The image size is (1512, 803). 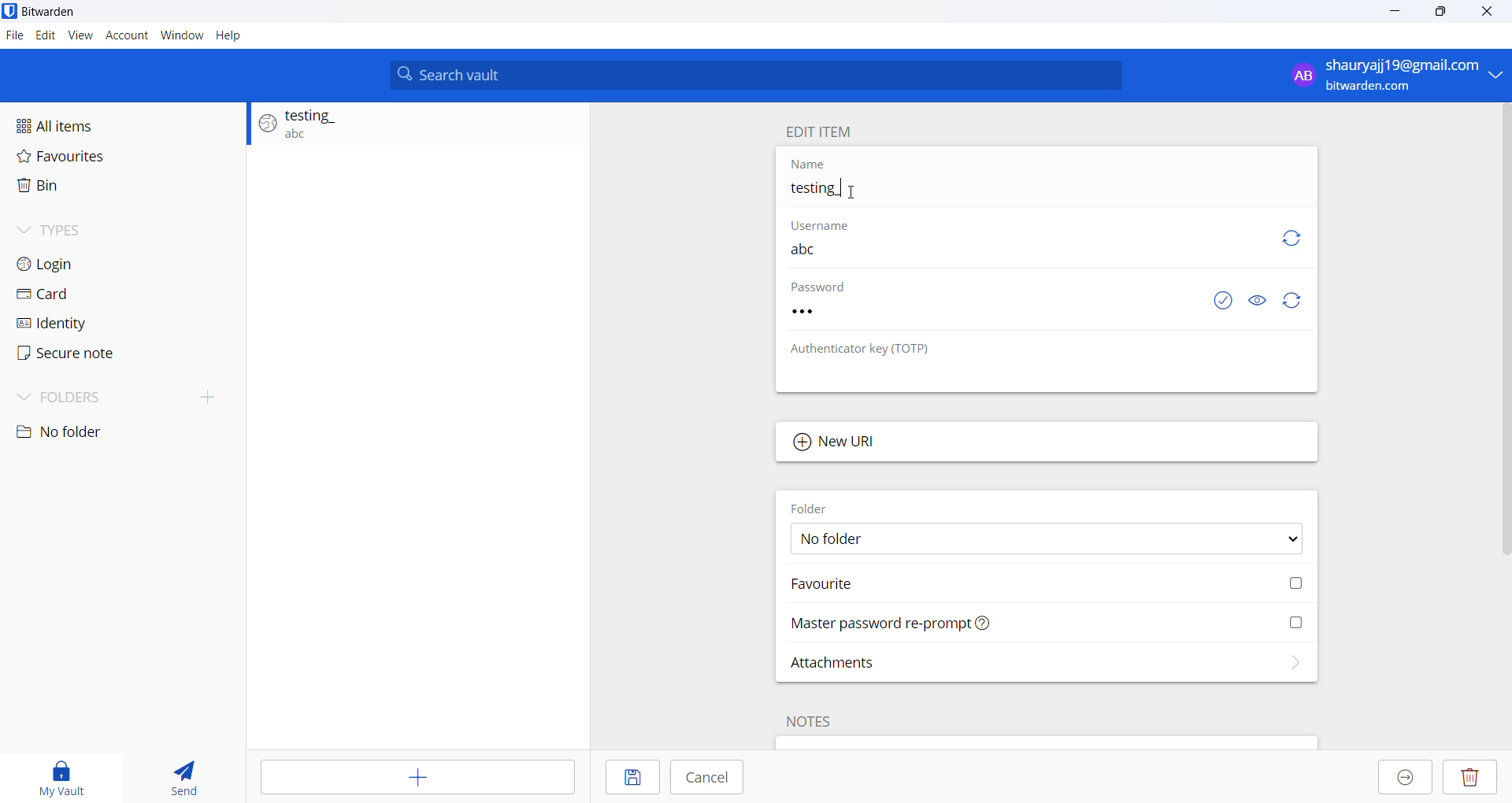 I want to click on Add item, so click(x=415, y=778).